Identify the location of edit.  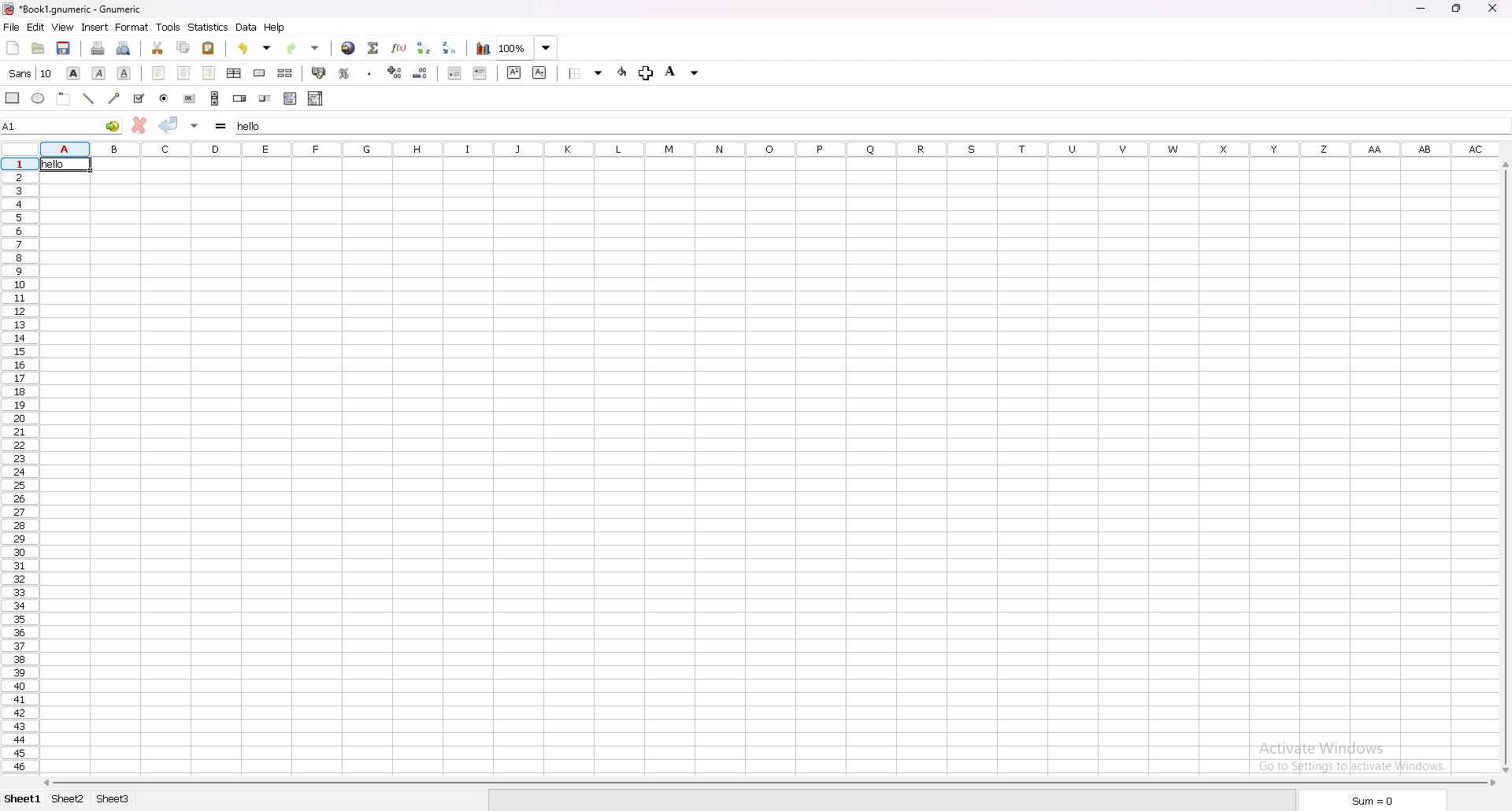
(36, 27).